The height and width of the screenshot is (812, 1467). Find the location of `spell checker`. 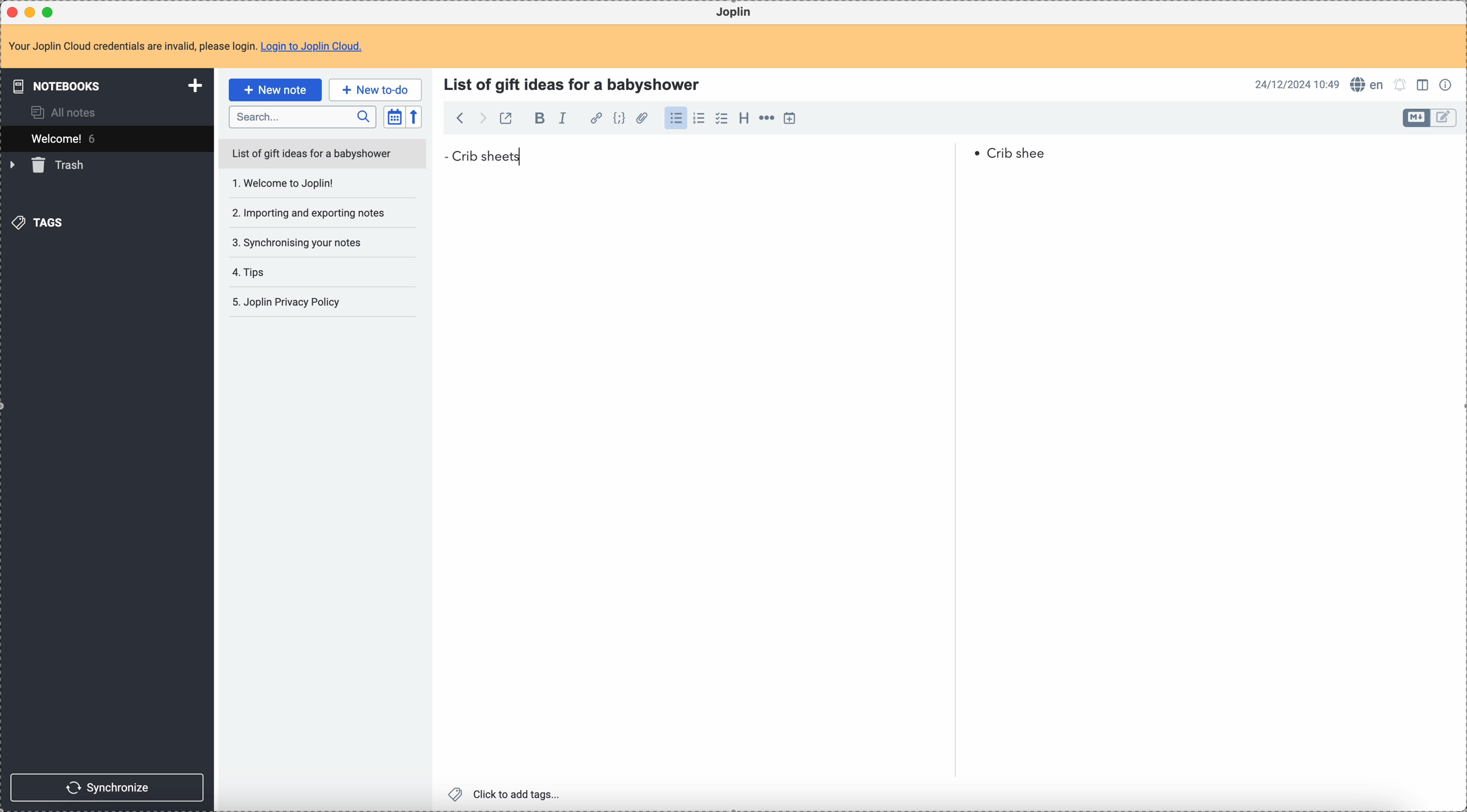

spell checker is located at coordinates (1368, 85).